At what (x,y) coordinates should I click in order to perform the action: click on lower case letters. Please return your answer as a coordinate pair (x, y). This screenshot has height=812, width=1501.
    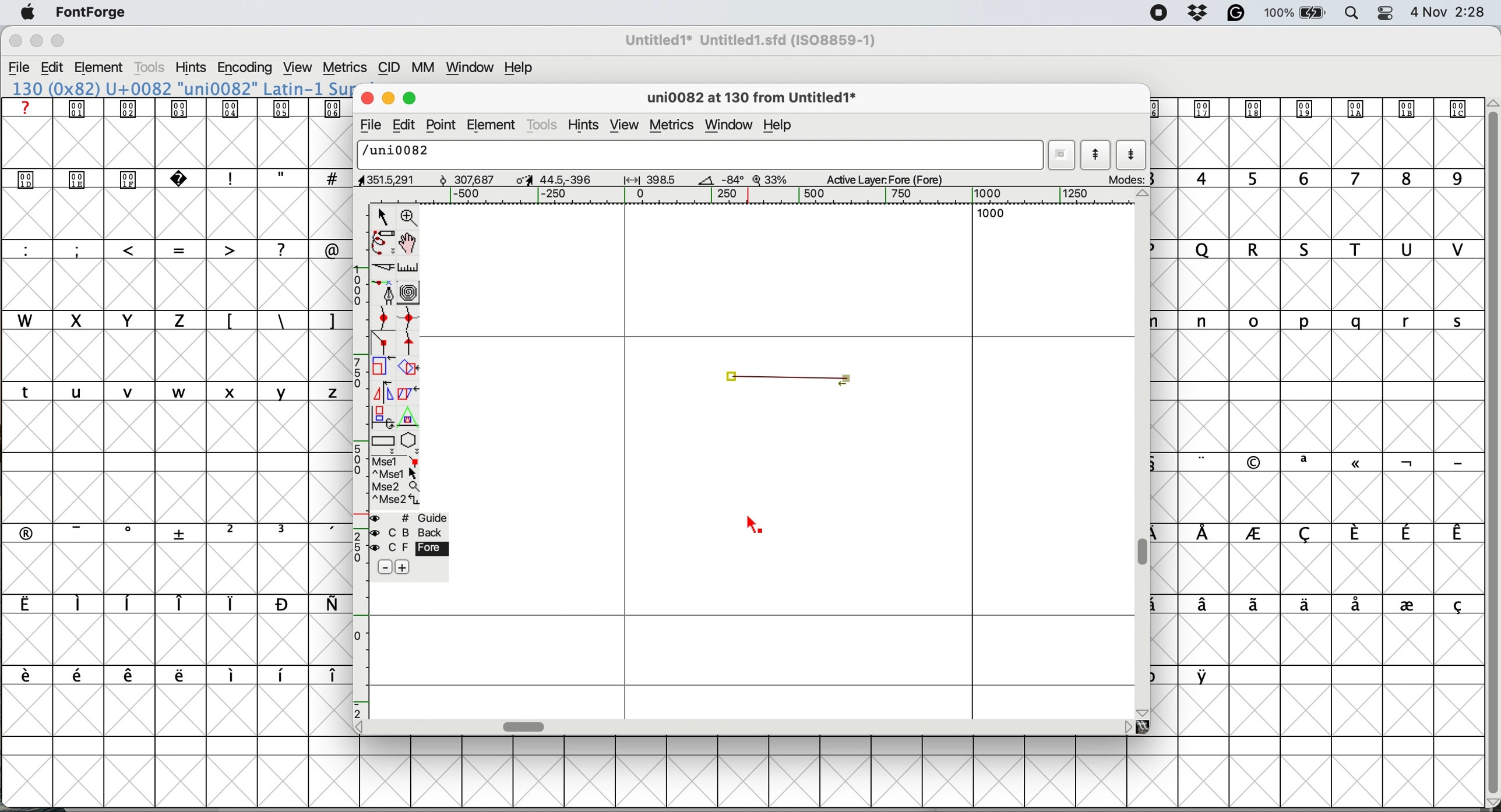
    Looking at the image, I should click on (177, 391).